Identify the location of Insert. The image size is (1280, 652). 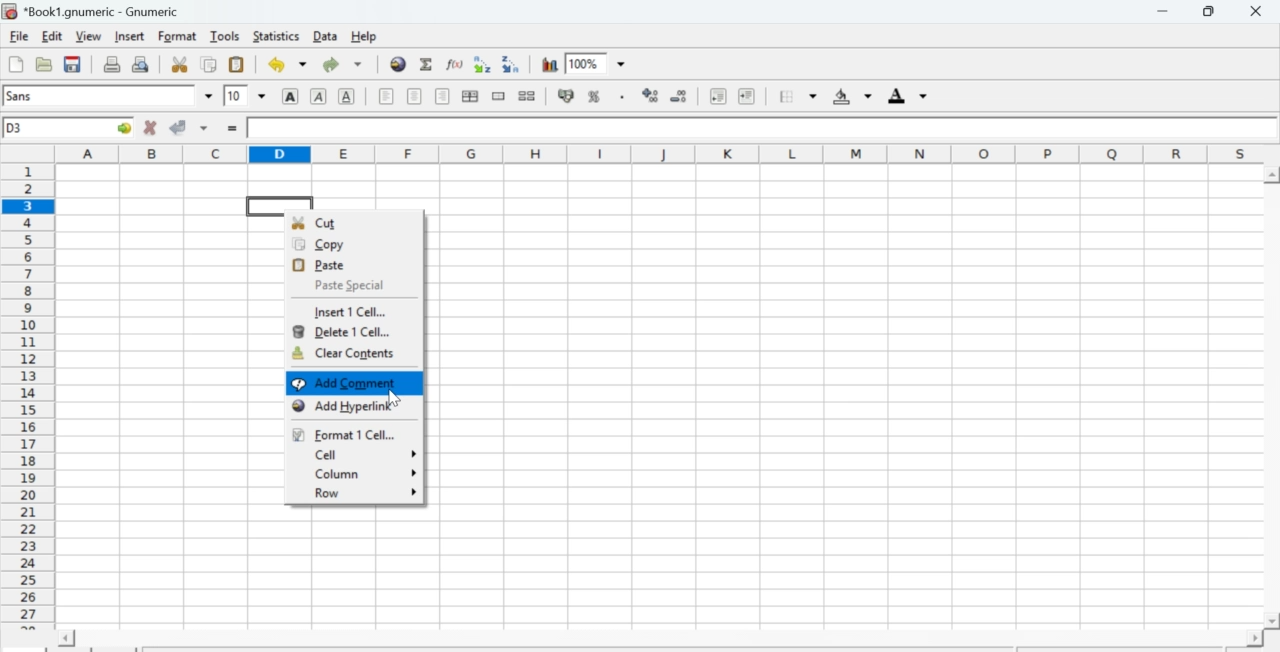
(130, 35).